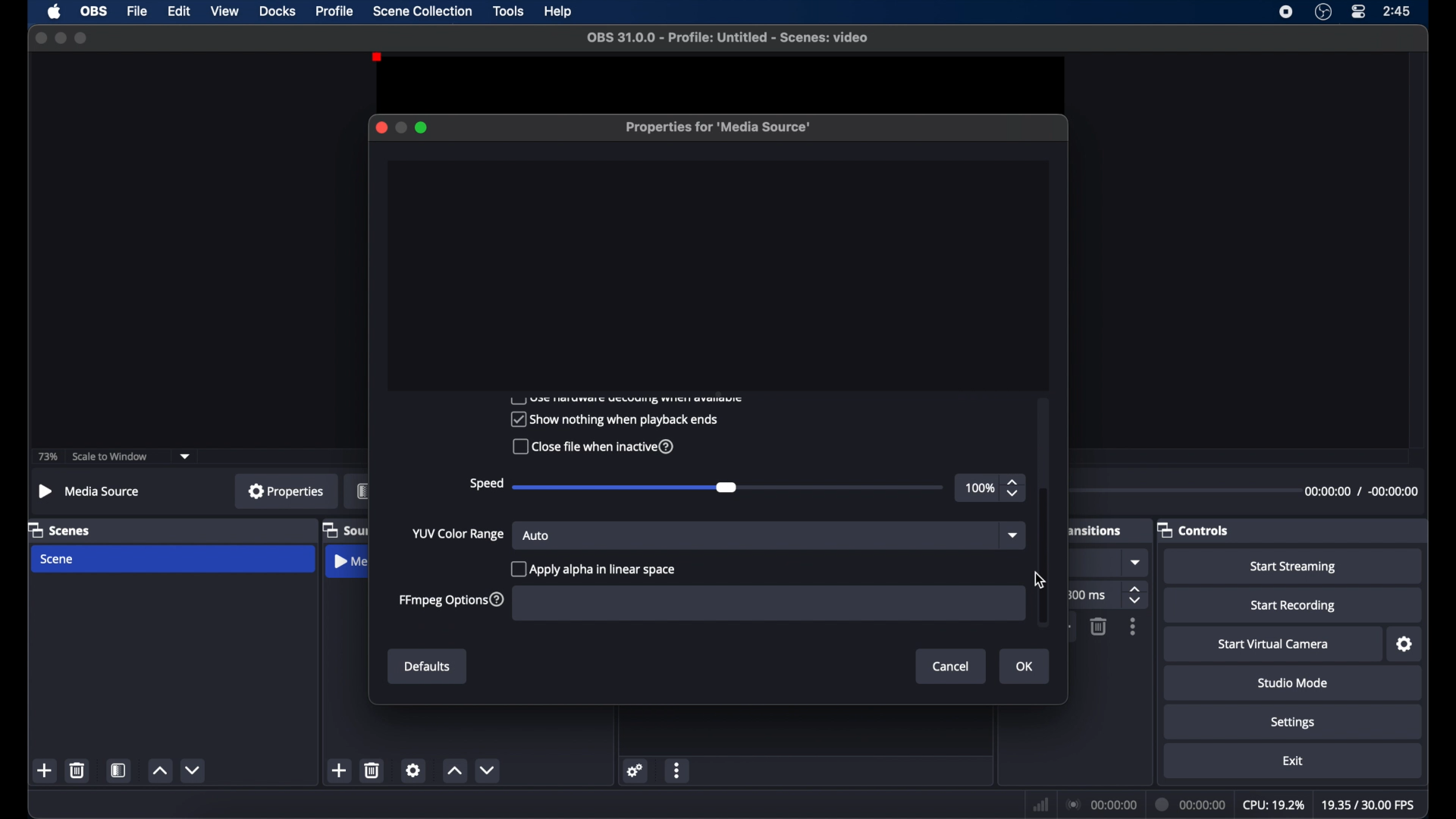 The height and width of the screenshot is (819, 1456). I want to click on exit, so click(1293, 761).